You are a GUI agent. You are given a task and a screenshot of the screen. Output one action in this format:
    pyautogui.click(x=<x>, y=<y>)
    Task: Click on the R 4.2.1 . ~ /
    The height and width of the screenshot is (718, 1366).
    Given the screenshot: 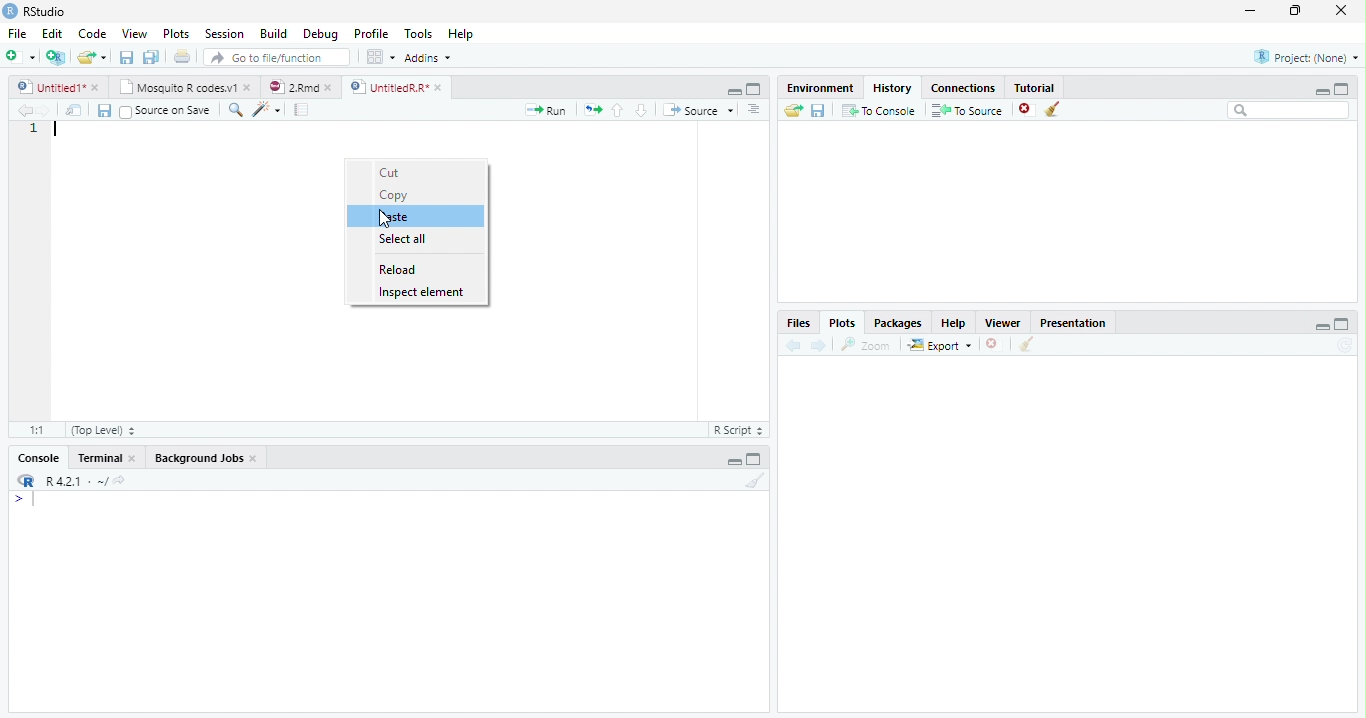 What is the action you would take?
    pyautogui.click(x=76, y=482)
    